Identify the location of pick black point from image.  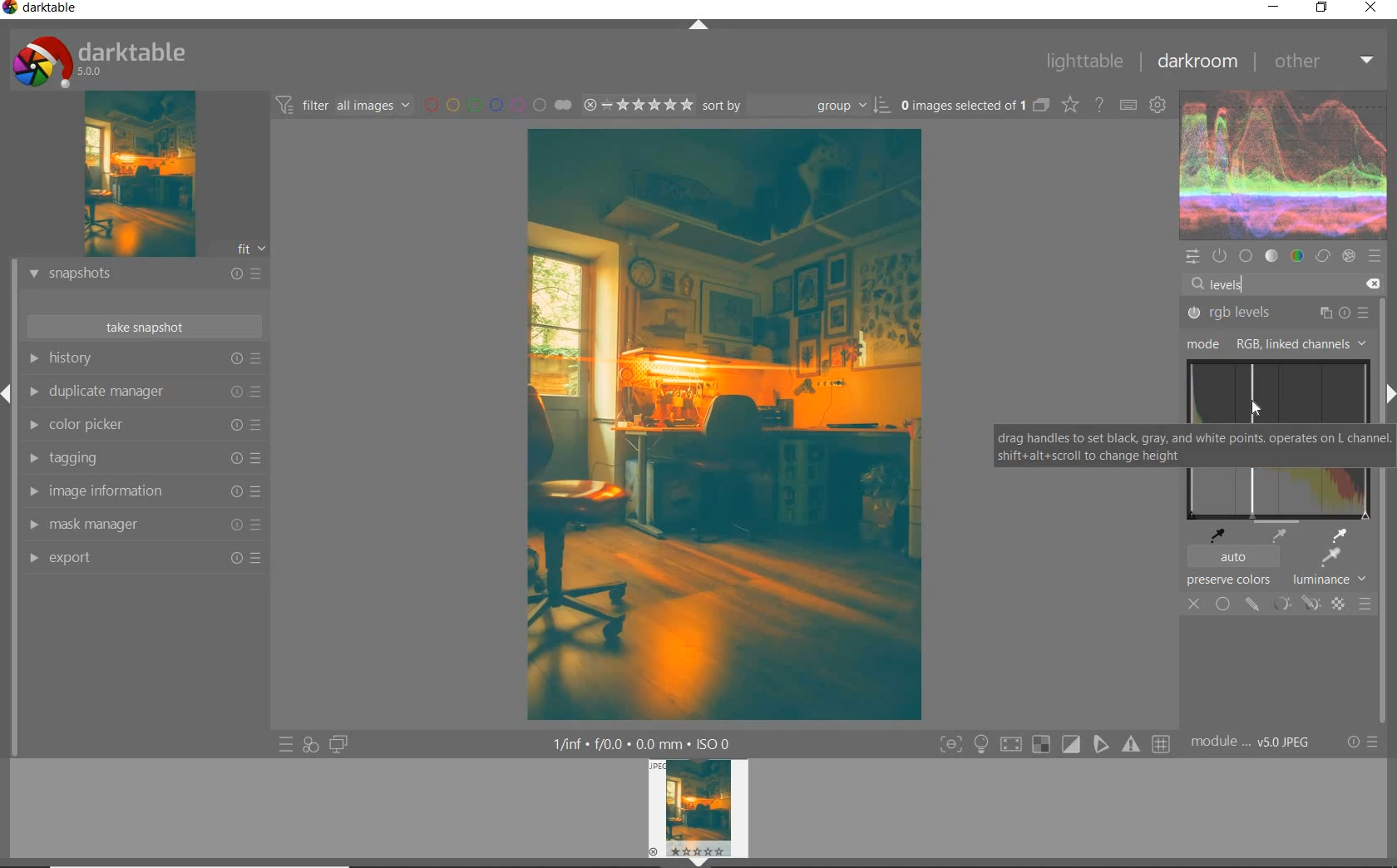
(1220, 534).